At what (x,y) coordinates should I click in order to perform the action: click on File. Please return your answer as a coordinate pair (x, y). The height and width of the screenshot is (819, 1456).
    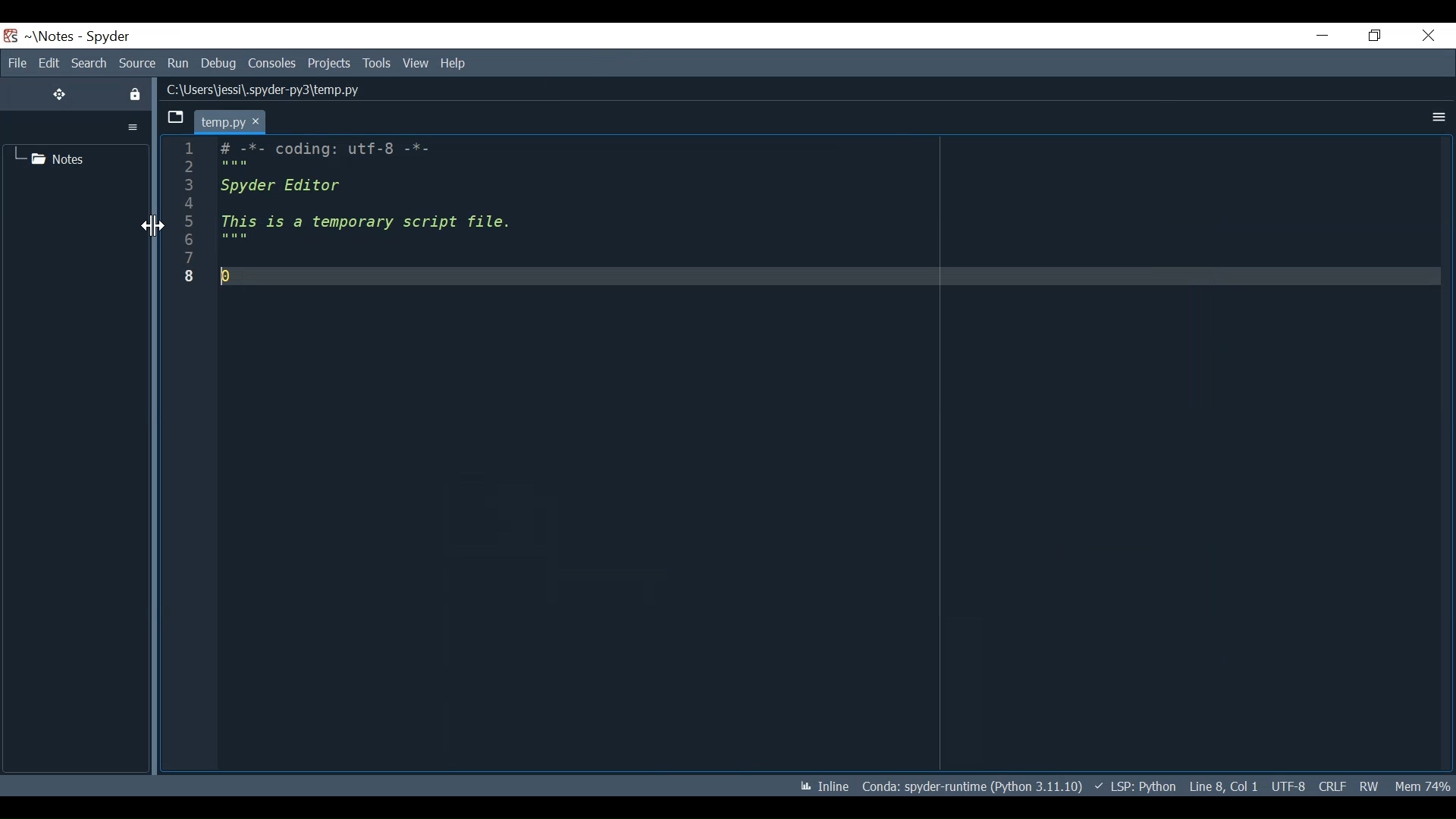
    Looking at the image, I should click on (15, 63).